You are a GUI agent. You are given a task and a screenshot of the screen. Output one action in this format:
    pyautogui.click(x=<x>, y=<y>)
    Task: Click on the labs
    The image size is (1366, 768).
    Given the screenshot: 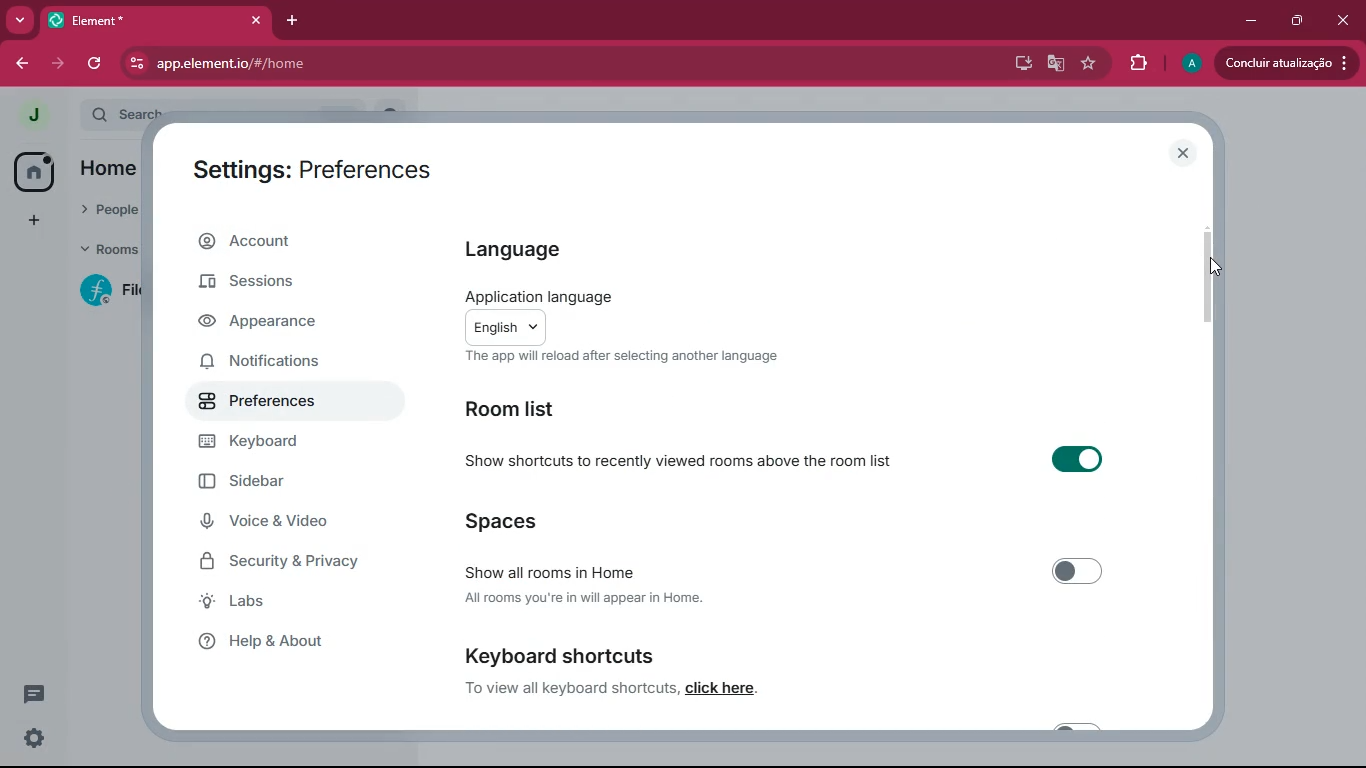 What is the action you would take?
    pyautogui.click(x=271, y=601)
    